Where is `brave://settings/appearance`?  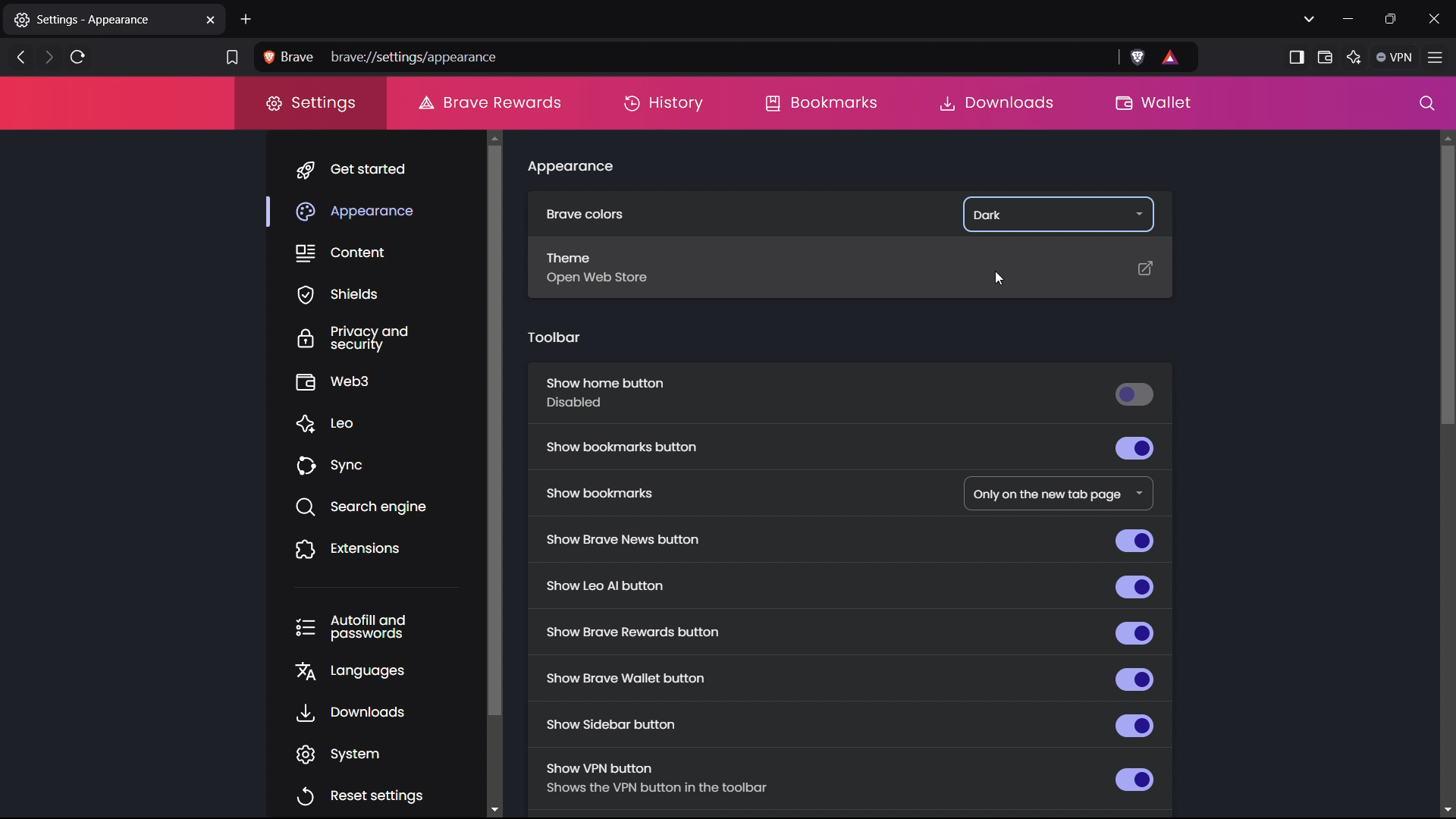
brave://settings/appearance is located at coordinates (709, 57).